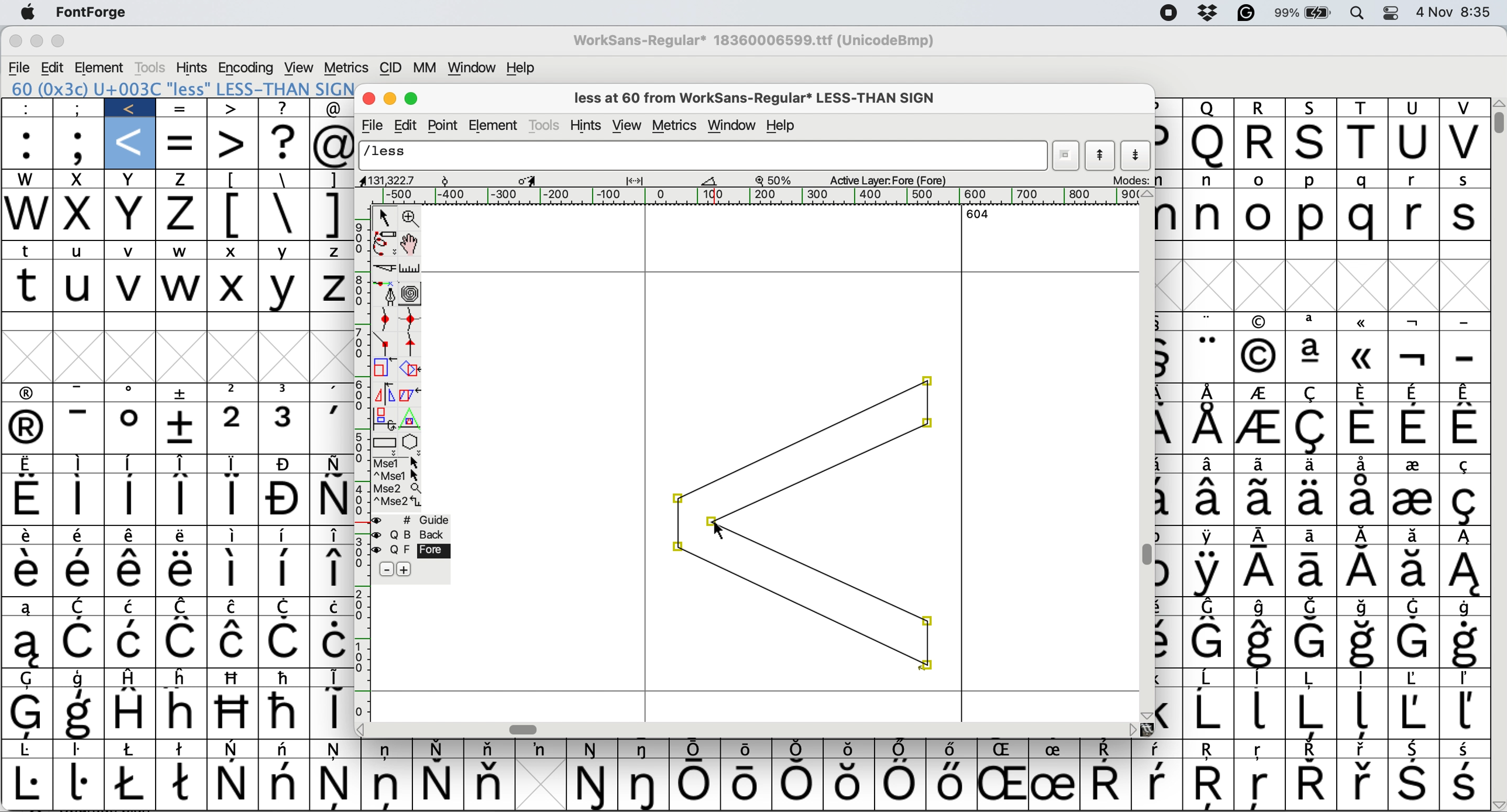  What do you see at coordinates (494, 748) in the screenshot?
I see `Symbol` at bounding box center [494, 748].